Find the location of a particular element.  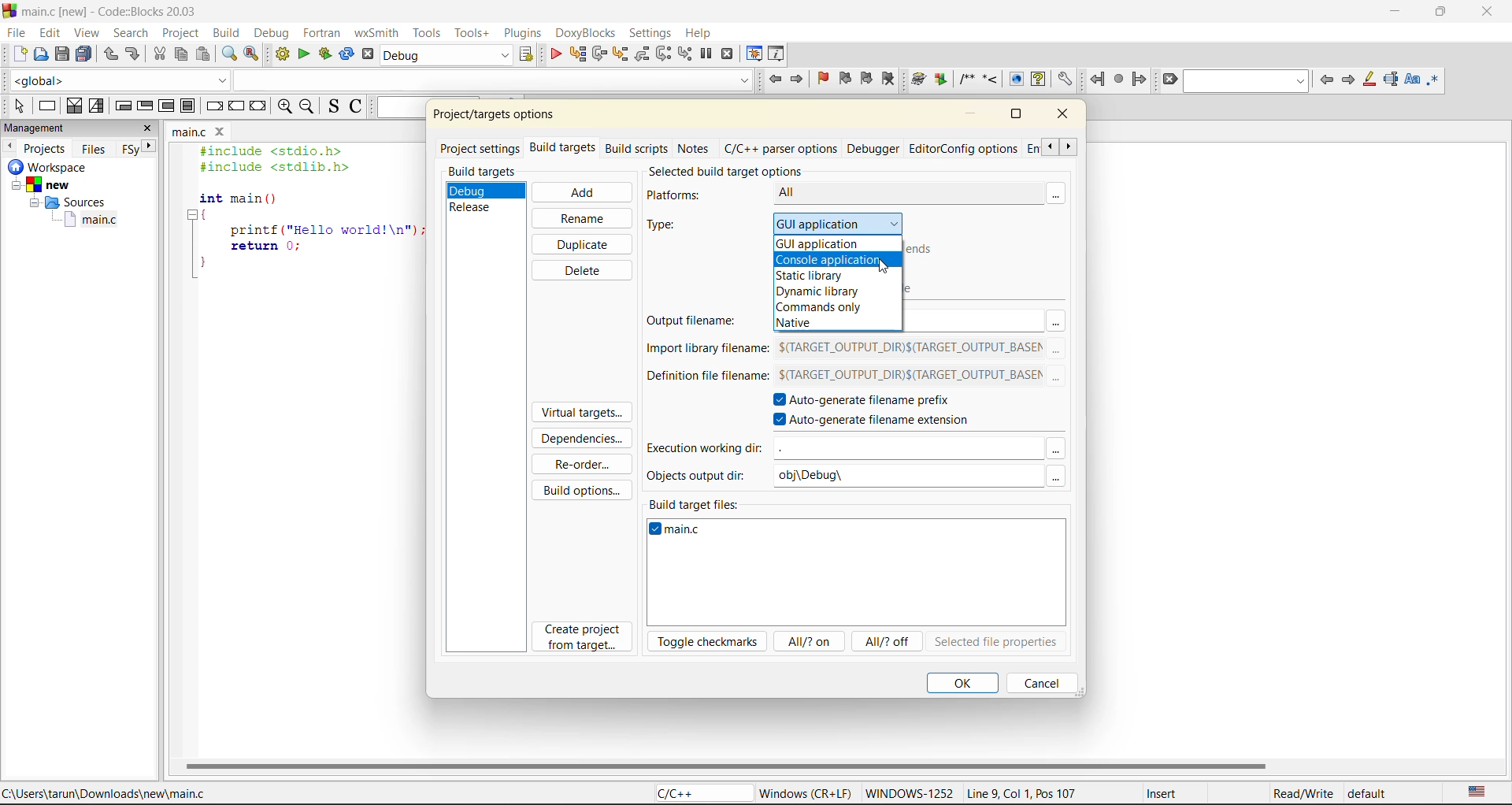

import library filename is located at coordinates (703, 352).